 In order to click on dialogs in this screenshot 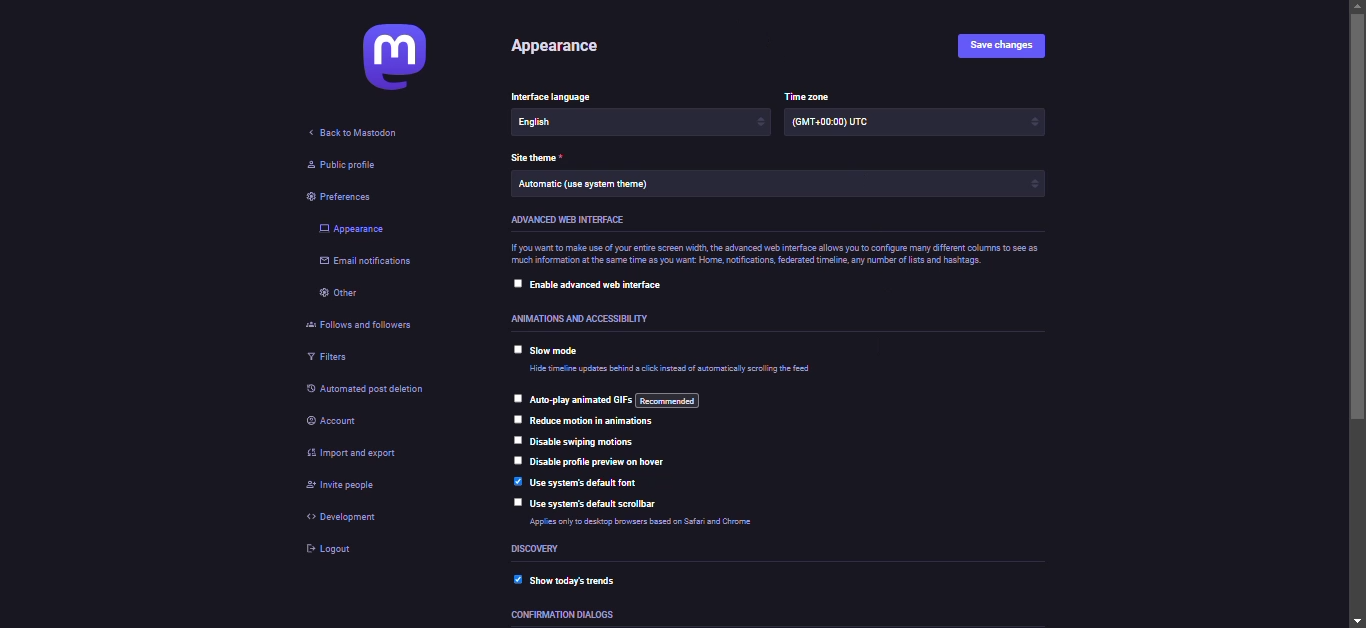, I will do `click(572, 614)`.